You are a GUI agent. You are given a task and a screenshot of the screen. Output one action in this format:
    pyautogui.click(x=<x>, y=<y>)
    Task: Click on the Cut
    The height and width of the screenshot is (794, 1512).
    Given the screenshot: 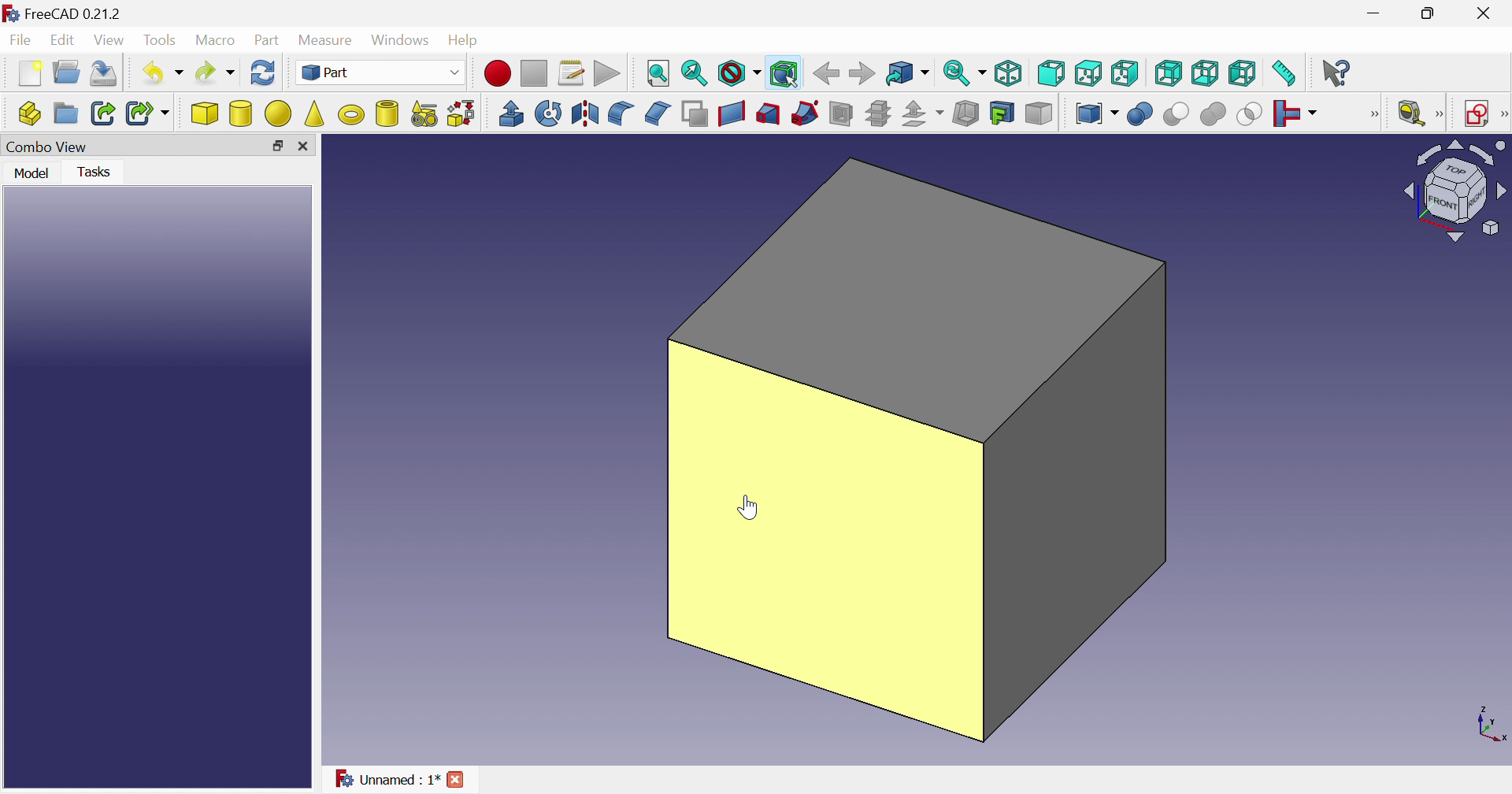 What is the action you would take?
    pyautogui.click(x=1174, y=114)
    